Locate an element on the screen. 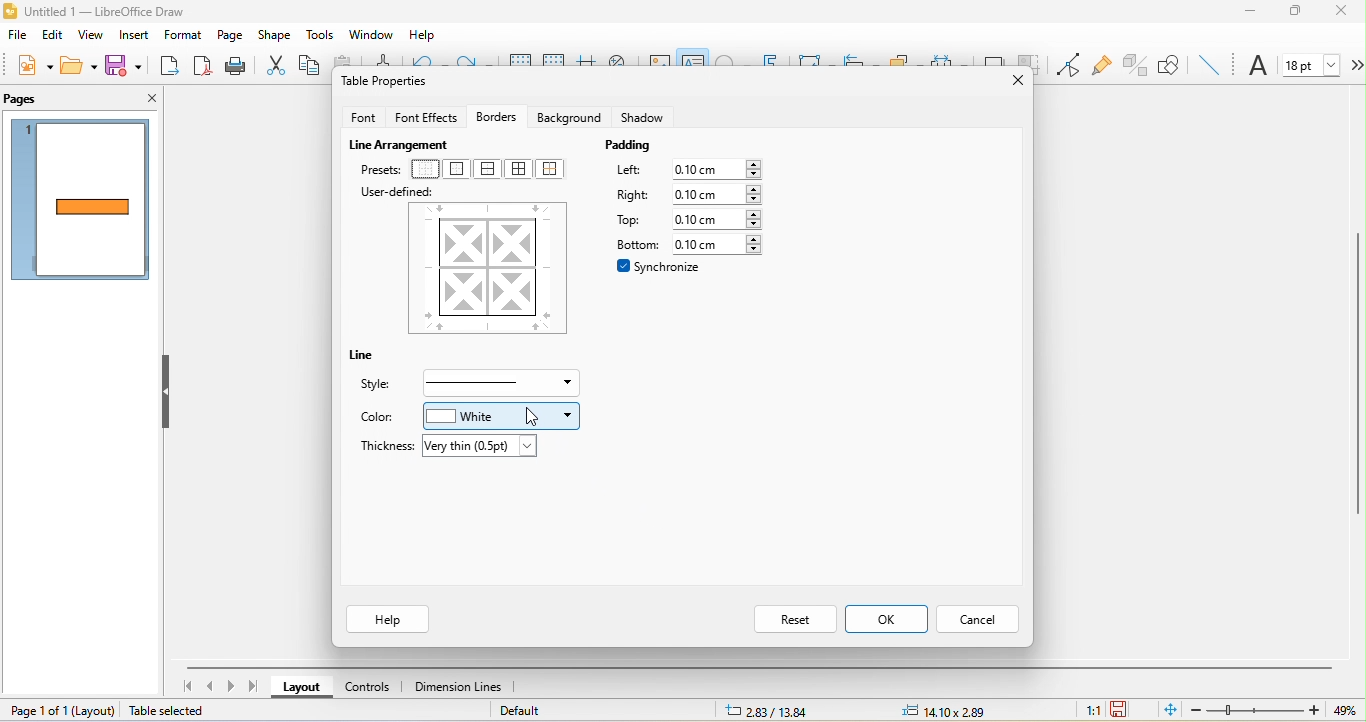 Image resolution: width=1366 pixels, height=722 pixels. shape is located at coordinates (274, 35).